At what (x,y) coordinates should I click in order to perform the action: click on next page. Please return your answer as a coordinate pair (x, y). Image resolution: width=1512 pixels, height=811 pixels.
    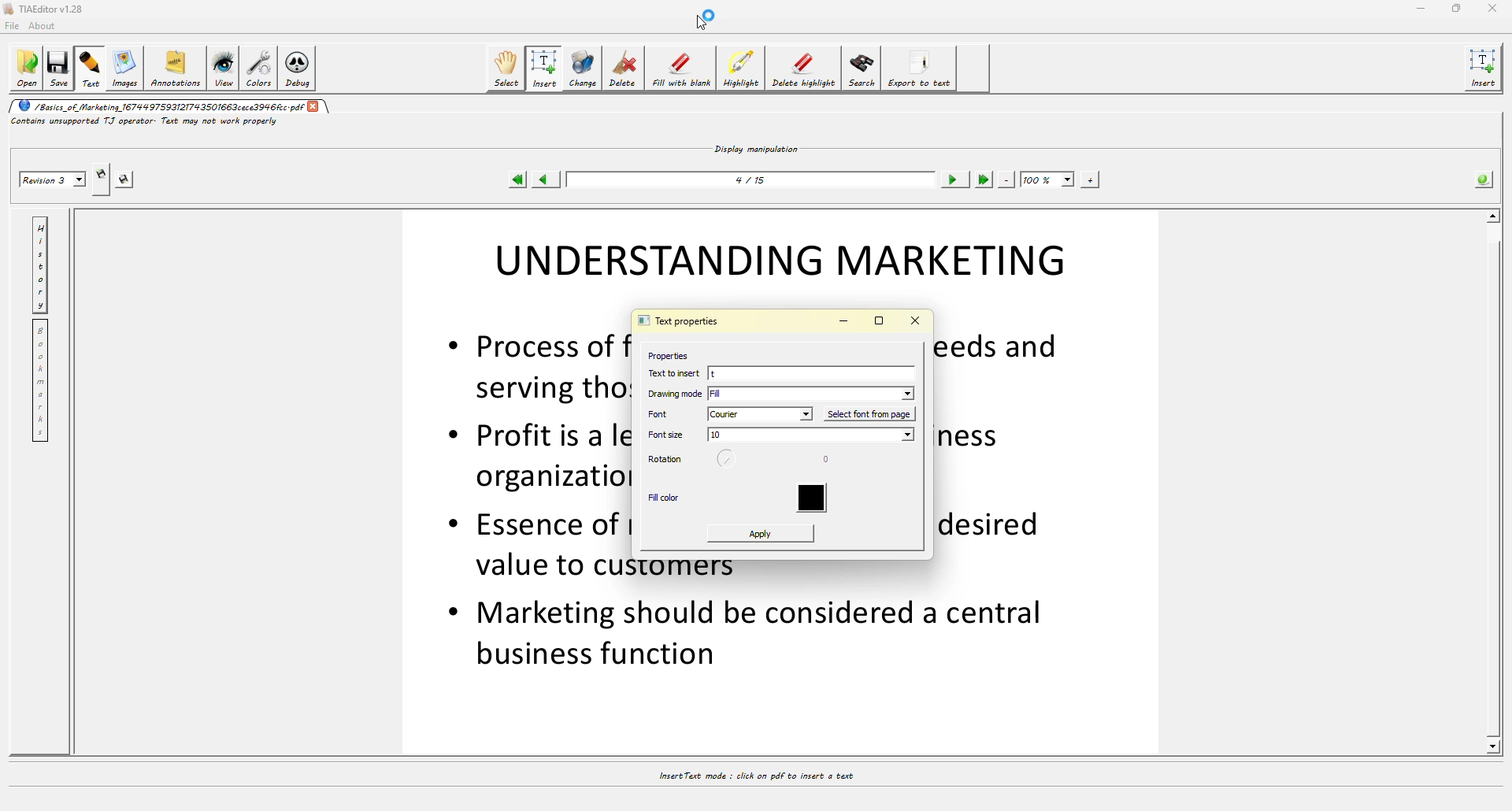
    Looking at the image, I should click on (955, 180).